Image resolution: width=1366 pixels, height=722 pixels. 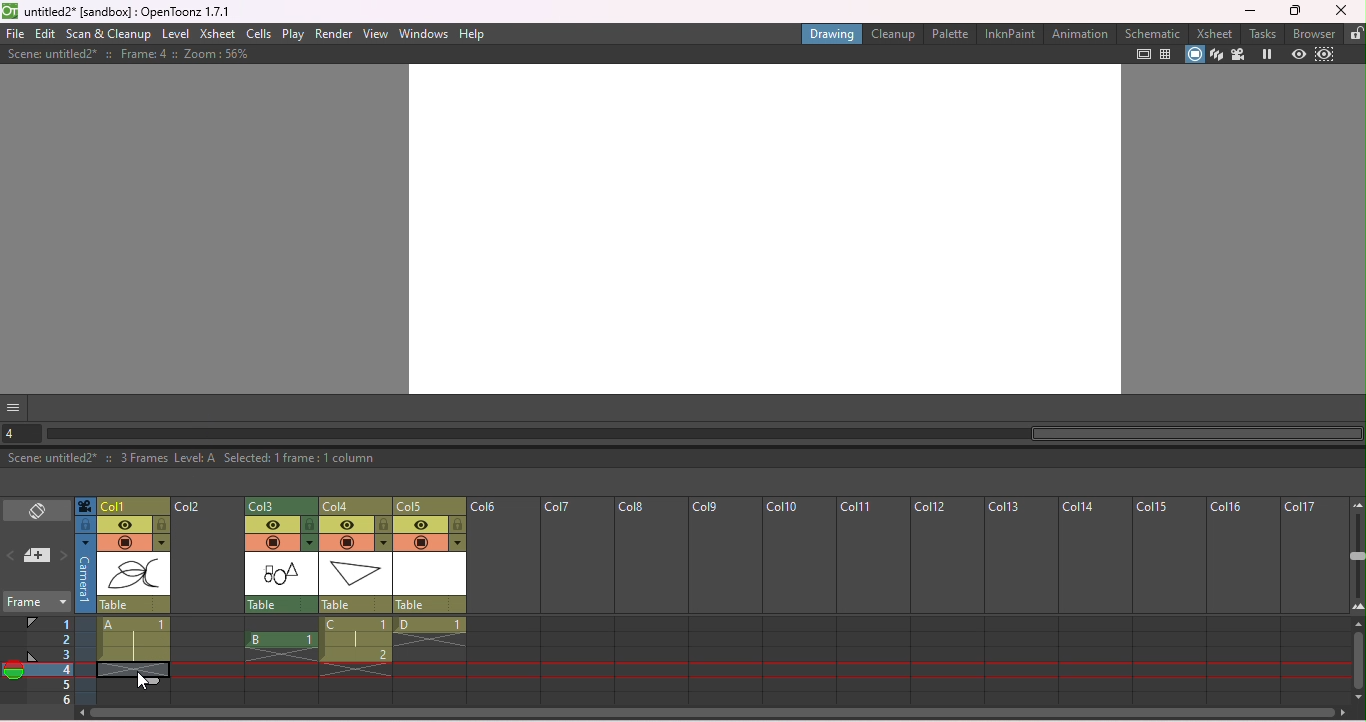 What do you see at coordinates (85, 506) in the screenshot?
I see `Click to select camera` at bounding box center [85, 506].